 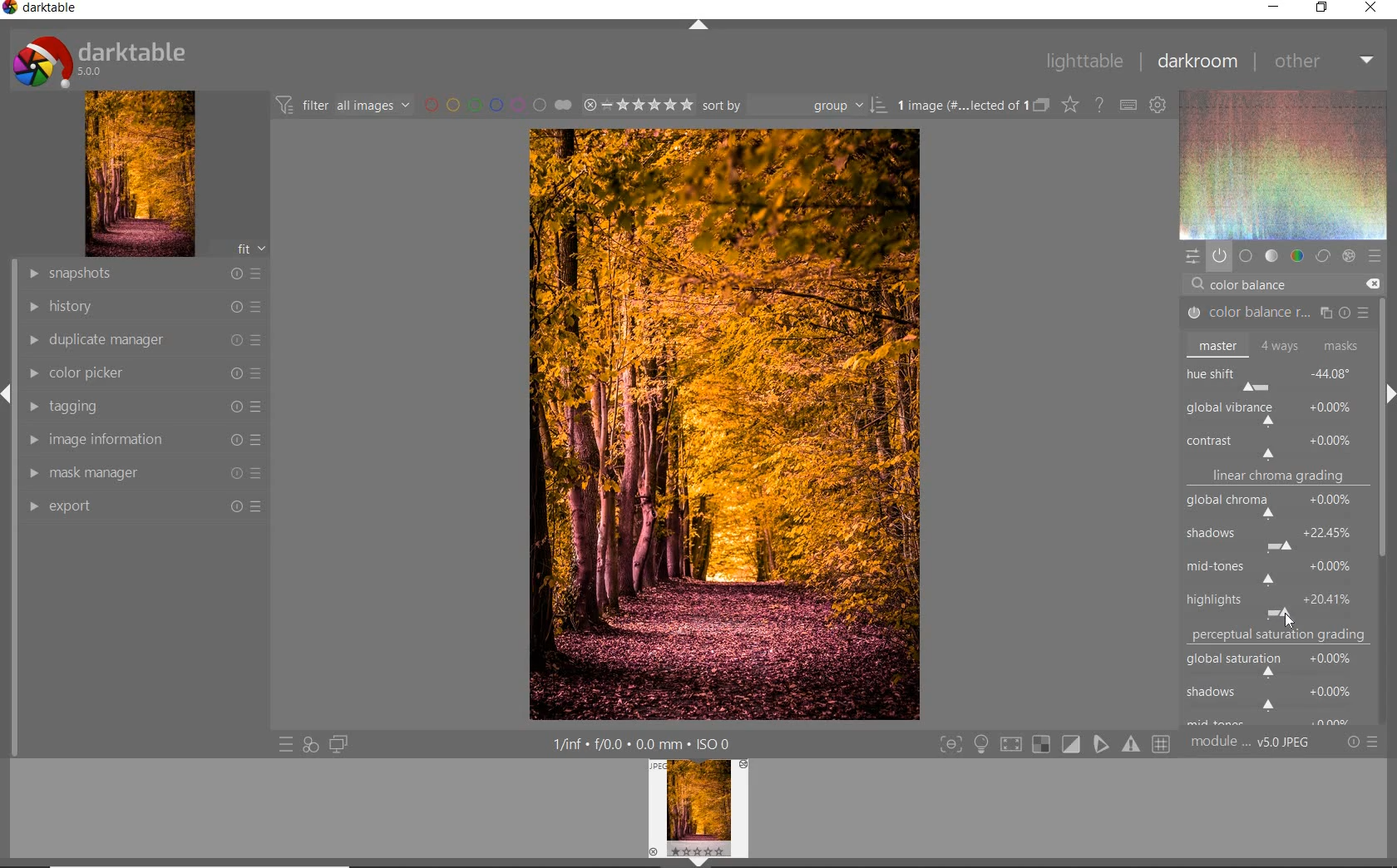 I want to click on effect, so click(x=1349, y=254).